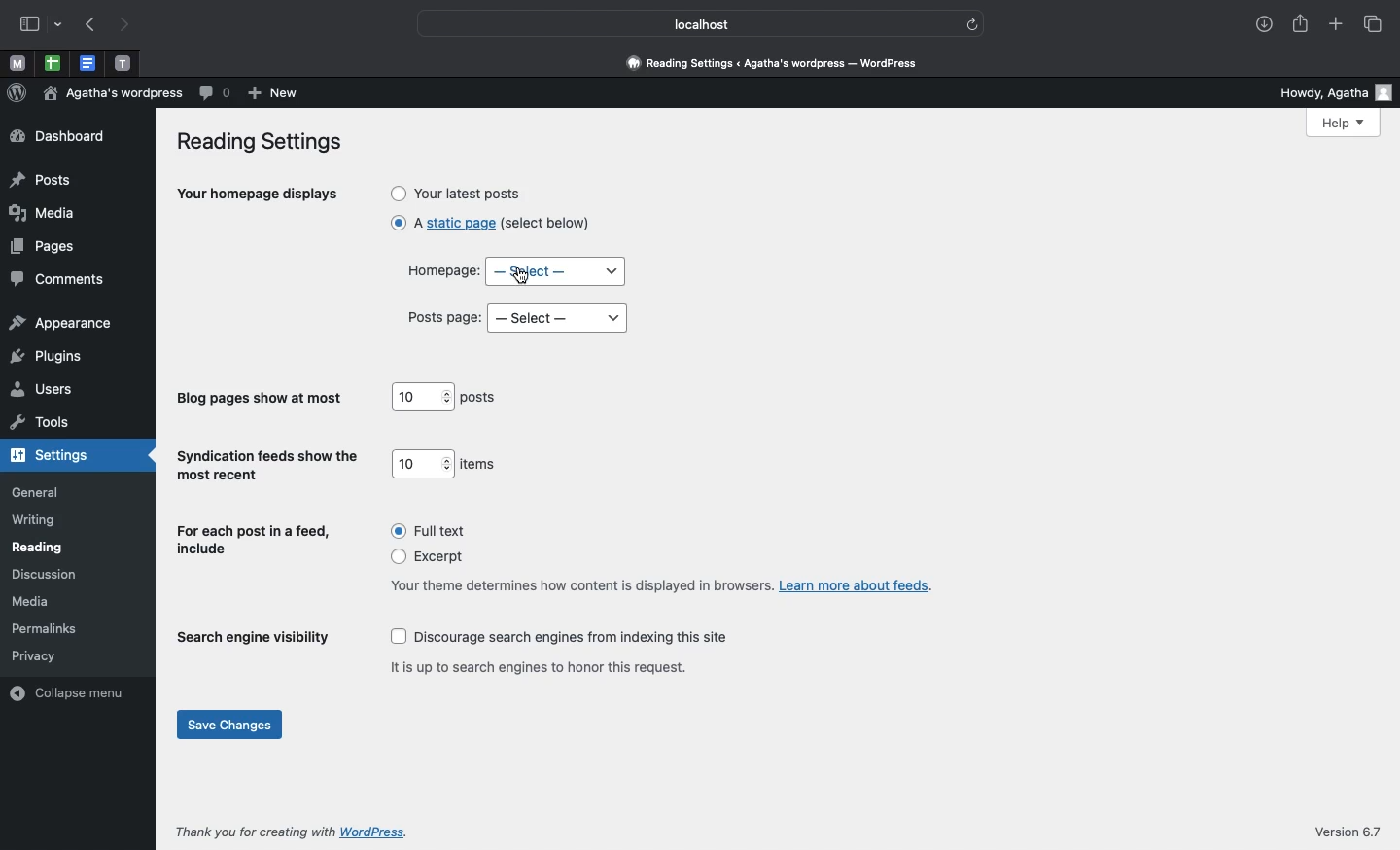 This screenshot has width=1400, height=850. What do you see at coordinates (35, 521) in the screenshot?
I see `writing` at bounding box center [35, 521].